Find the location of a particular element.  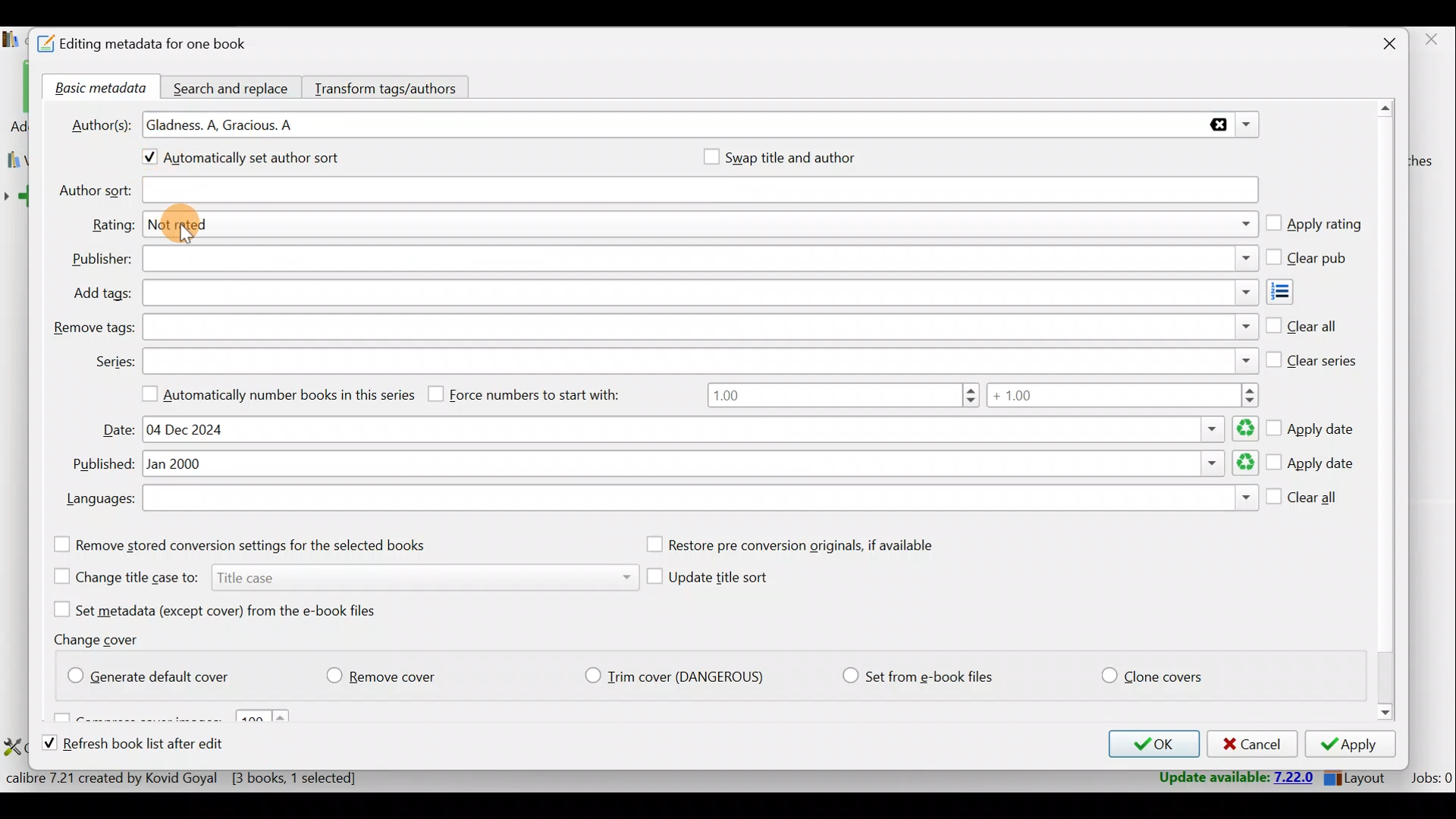

OK is located at coordinates (1150, 744).